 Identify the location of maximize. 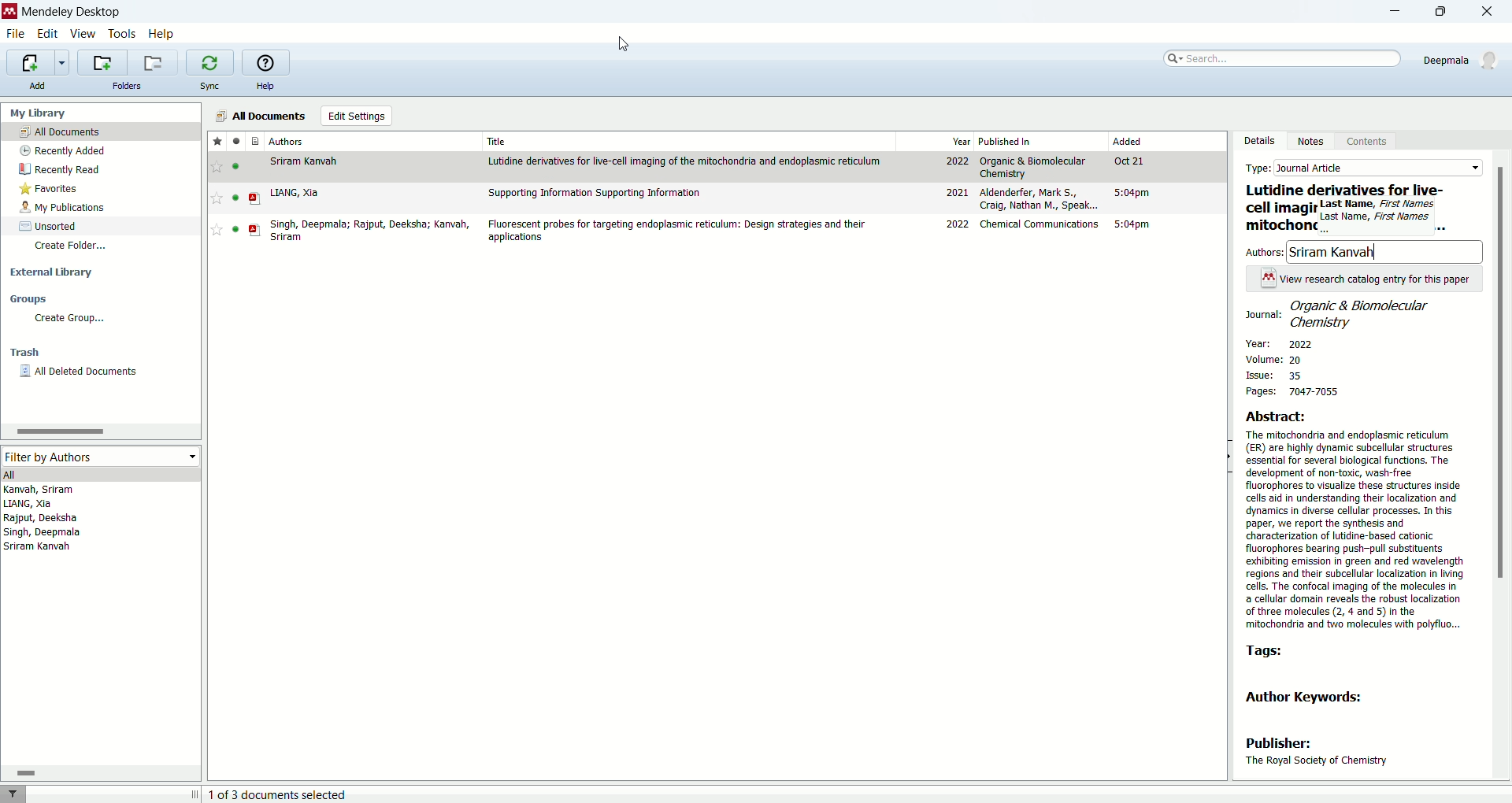
(1447, 12).